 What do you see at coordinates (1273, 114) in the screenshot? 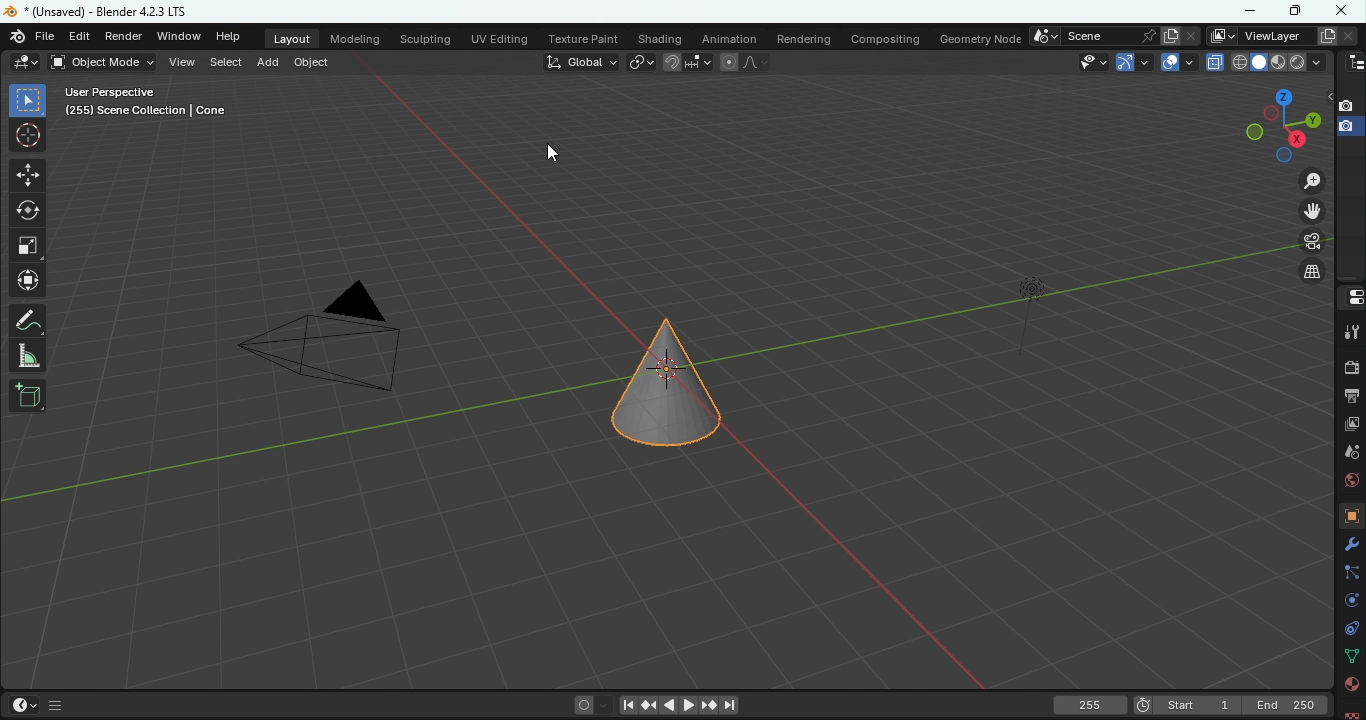
I see `Rotate the scene` at bounding box center [1273, 114].